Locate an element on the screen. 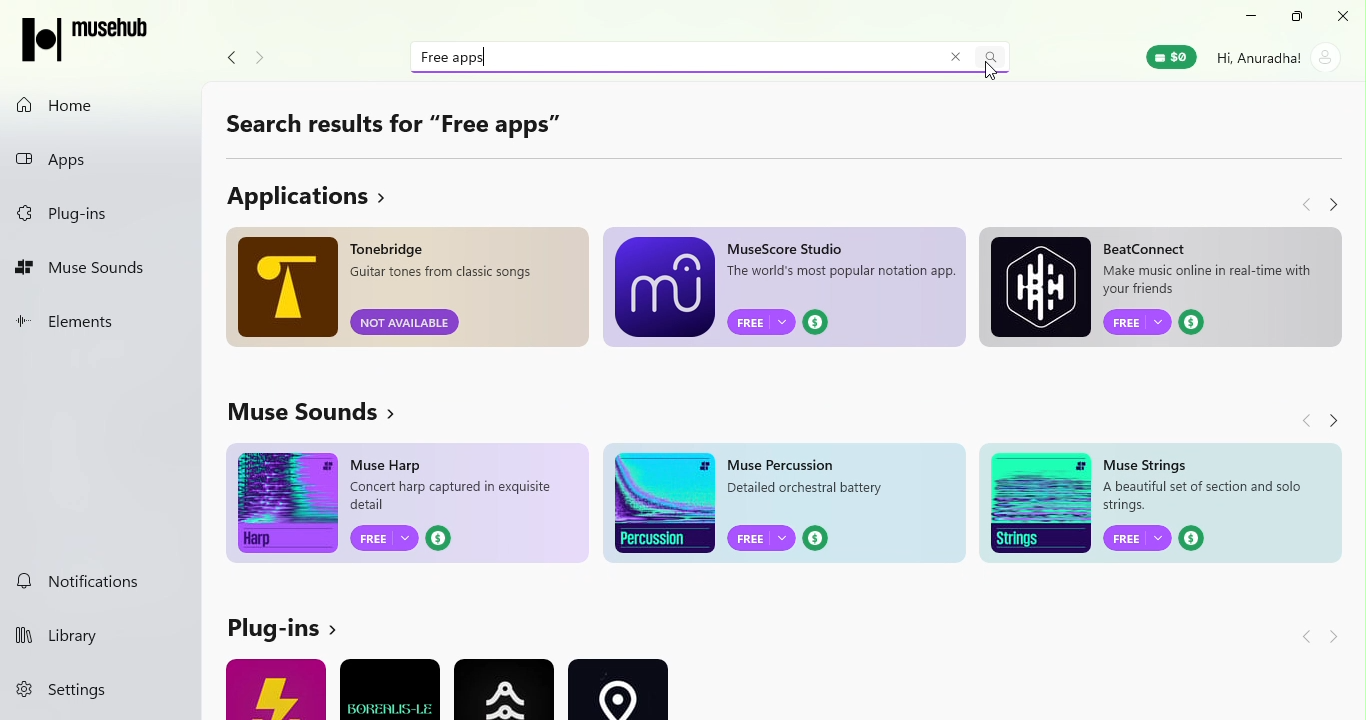  Navigate back is located at coordinates (1303, 201).